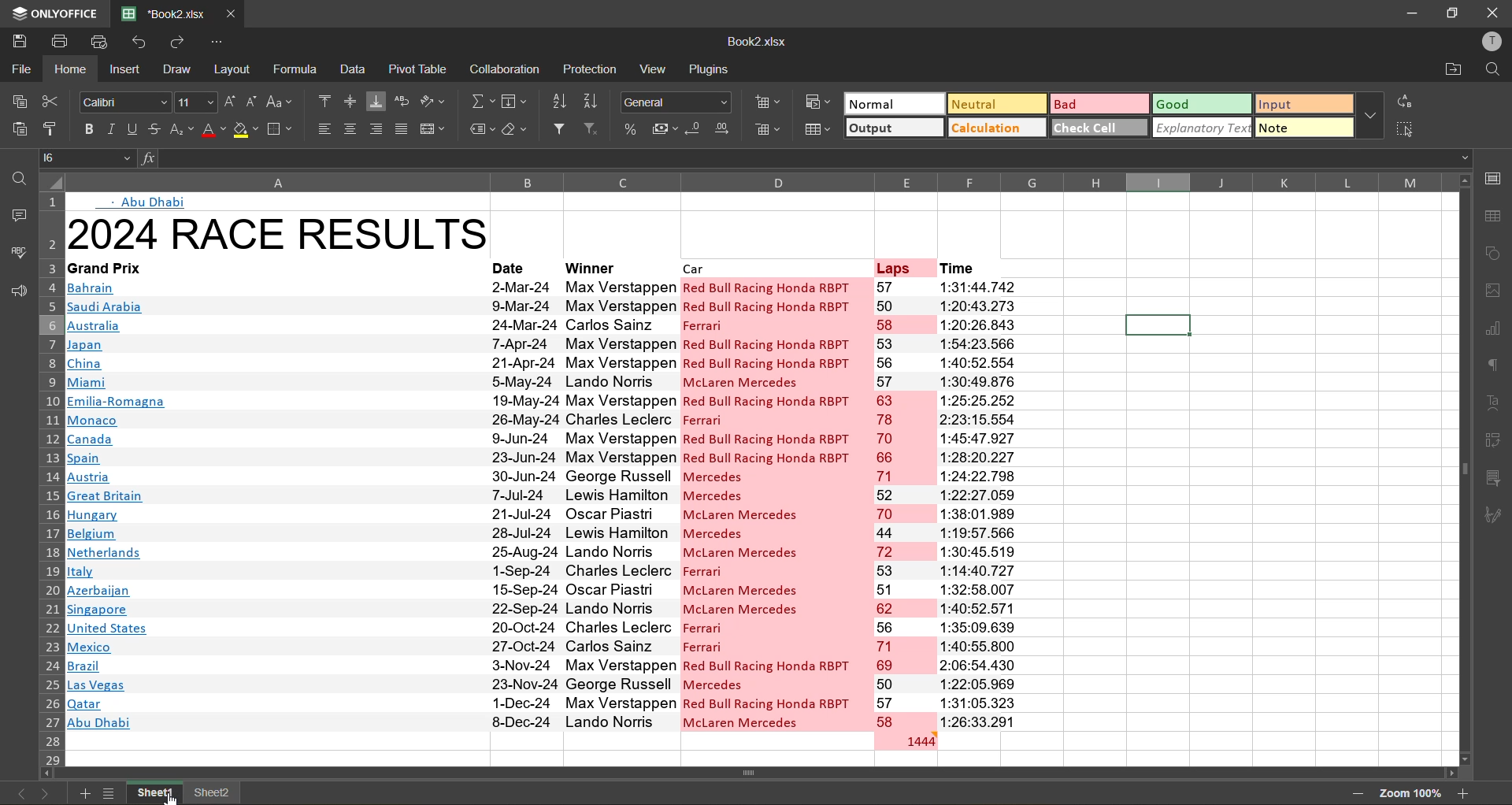  Describe the element at coordinates (1409, 793) in the screenshot. I see `zoom factor` at that location.